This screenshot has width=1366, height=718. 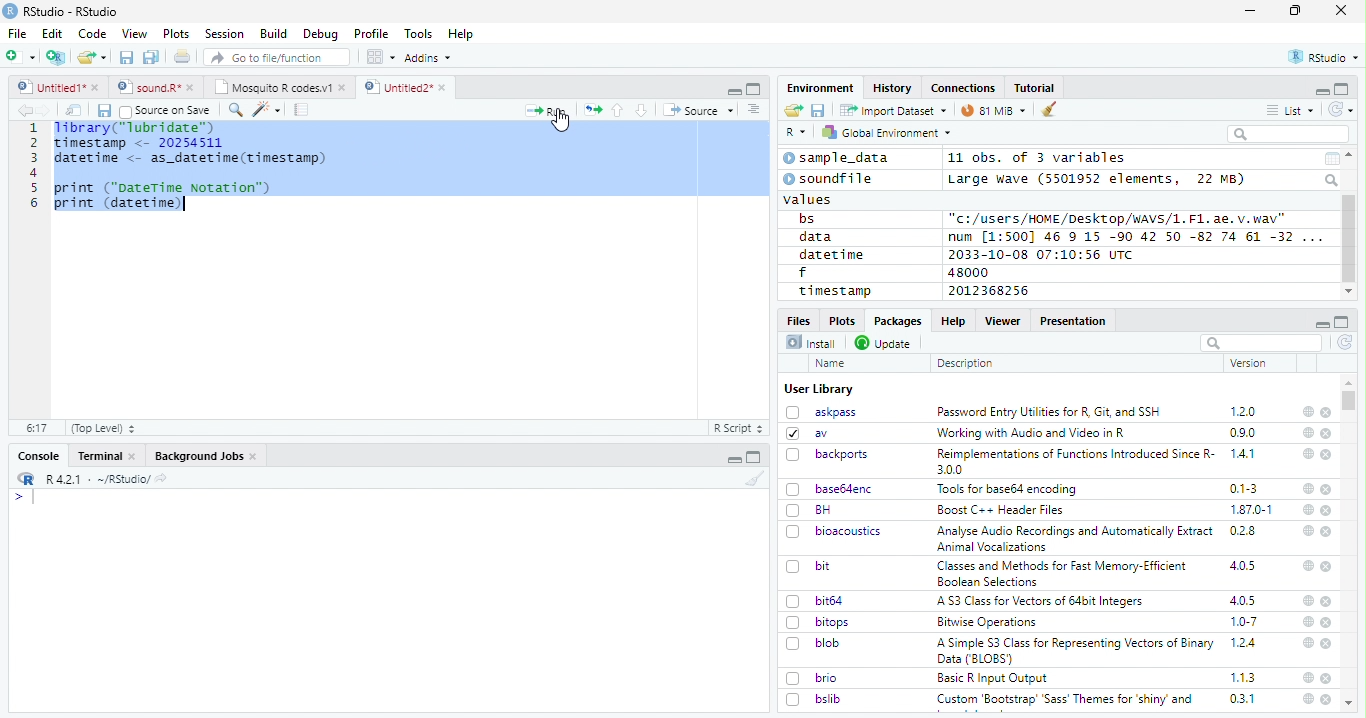 I want to click on 0.3.1, so click(x=1242, y=698).